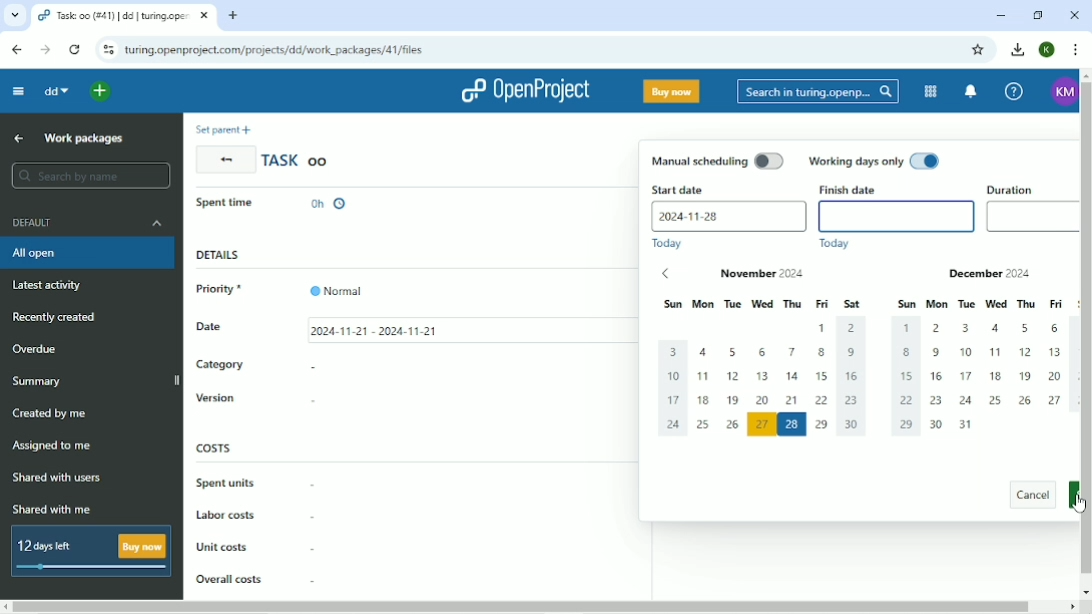  I want to click on OpenProject, so click(524, 89).